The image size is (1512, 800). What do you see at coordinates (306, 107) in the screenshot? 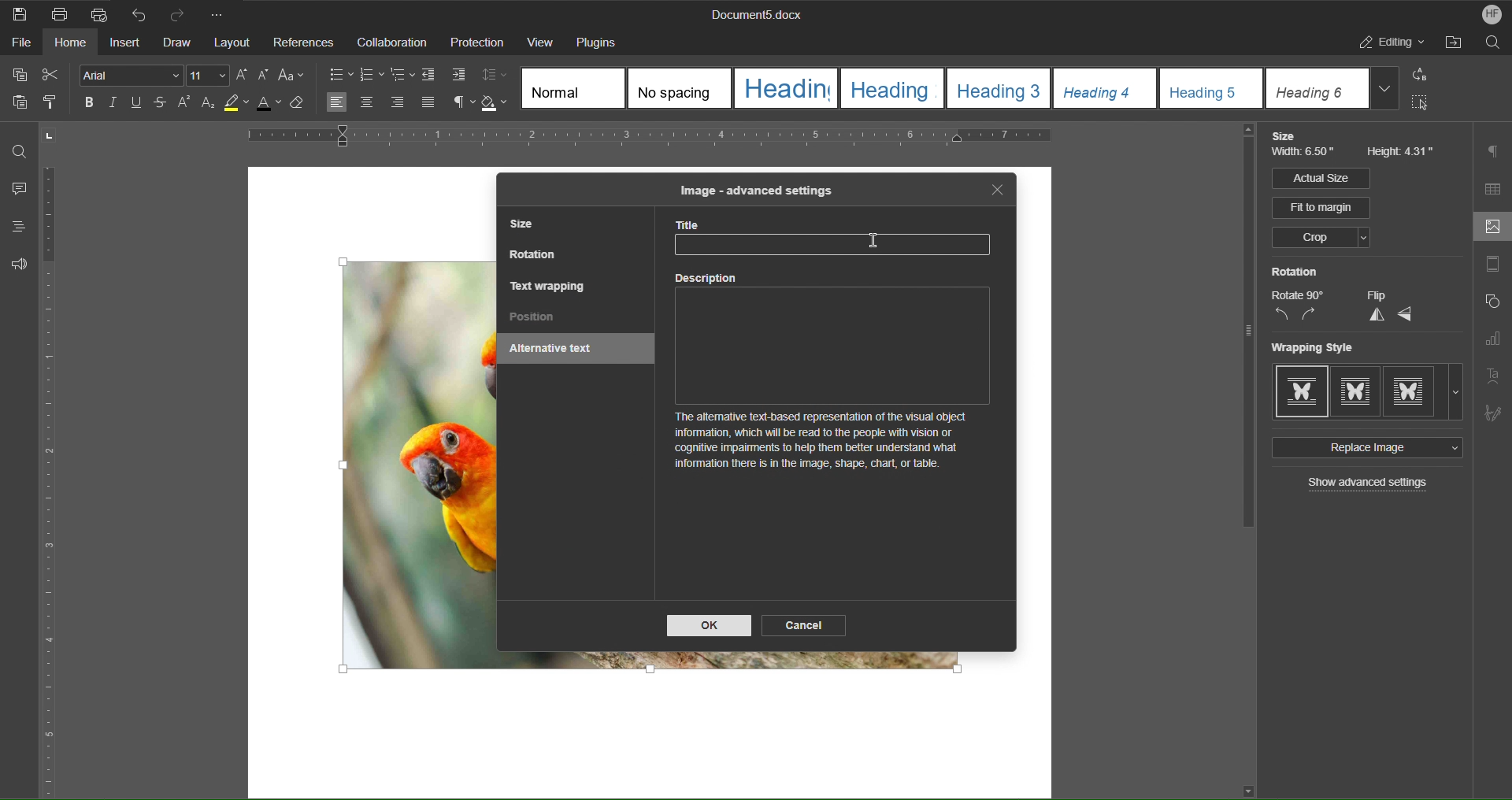
I see `Erase Style` at bounding box center [306, 107].